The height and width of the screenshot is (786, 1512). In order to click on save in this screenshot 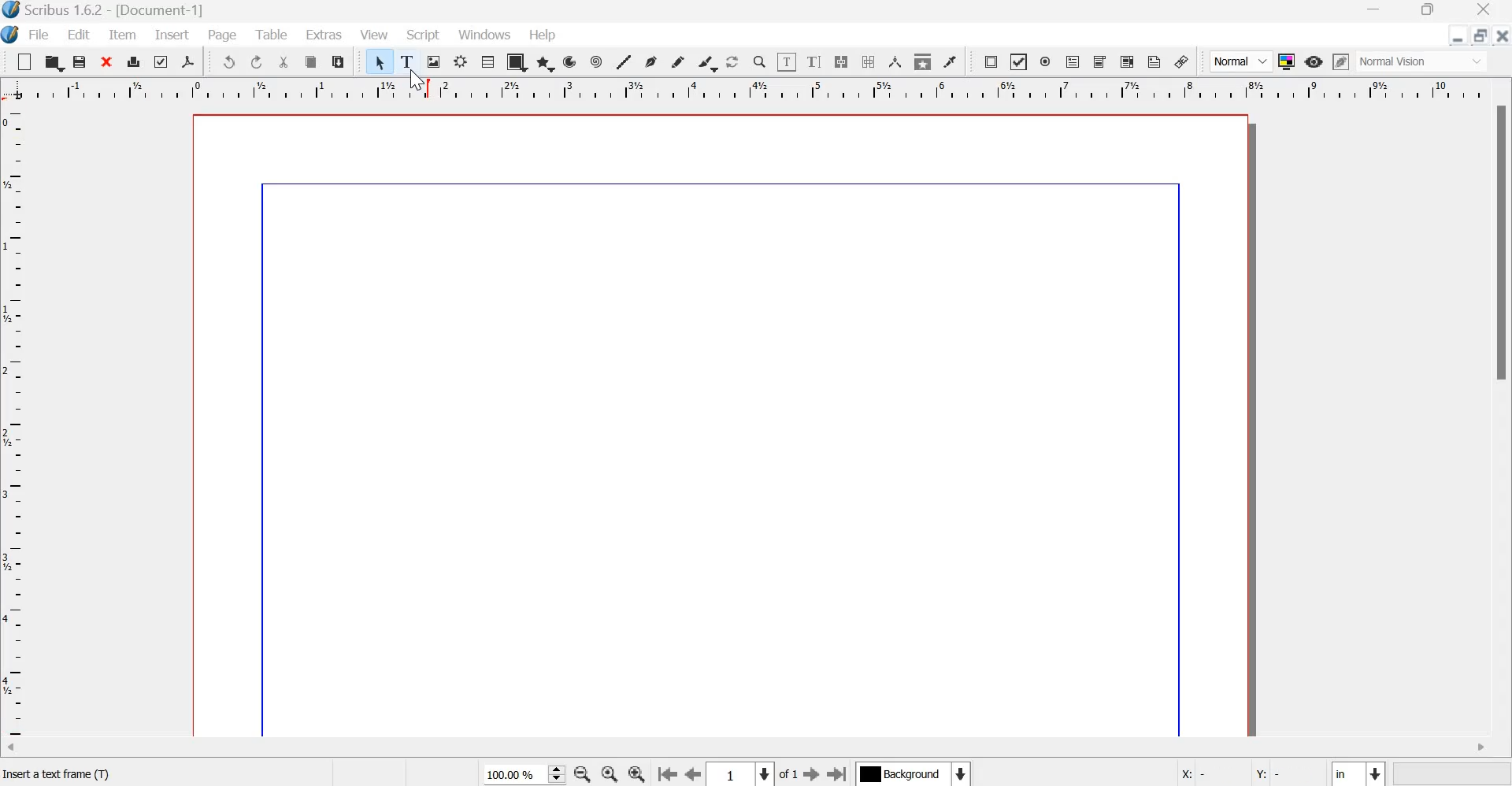, I will do `click(80, 61)`.